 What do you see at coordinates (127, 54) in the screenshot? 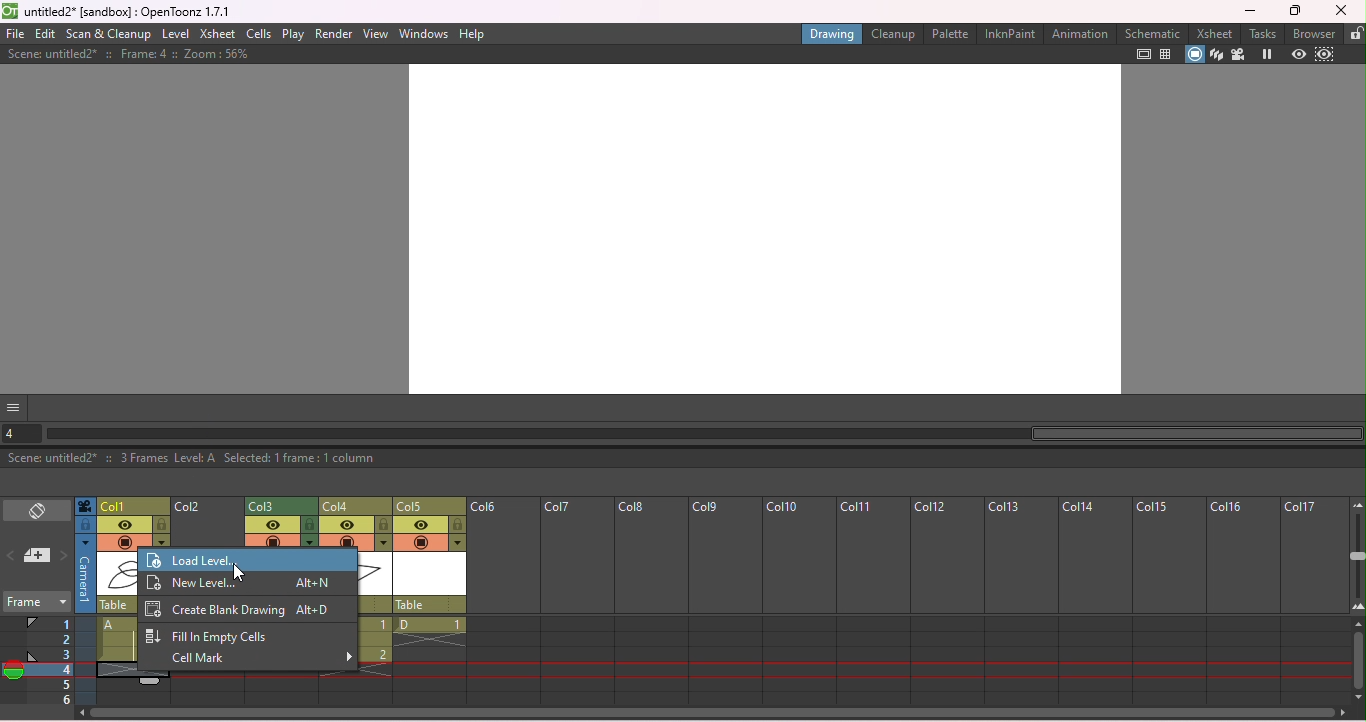
I see `Scene: untitled2* : Frame: 4 :: Zoom: 56%` at bounding box center [127, 54].